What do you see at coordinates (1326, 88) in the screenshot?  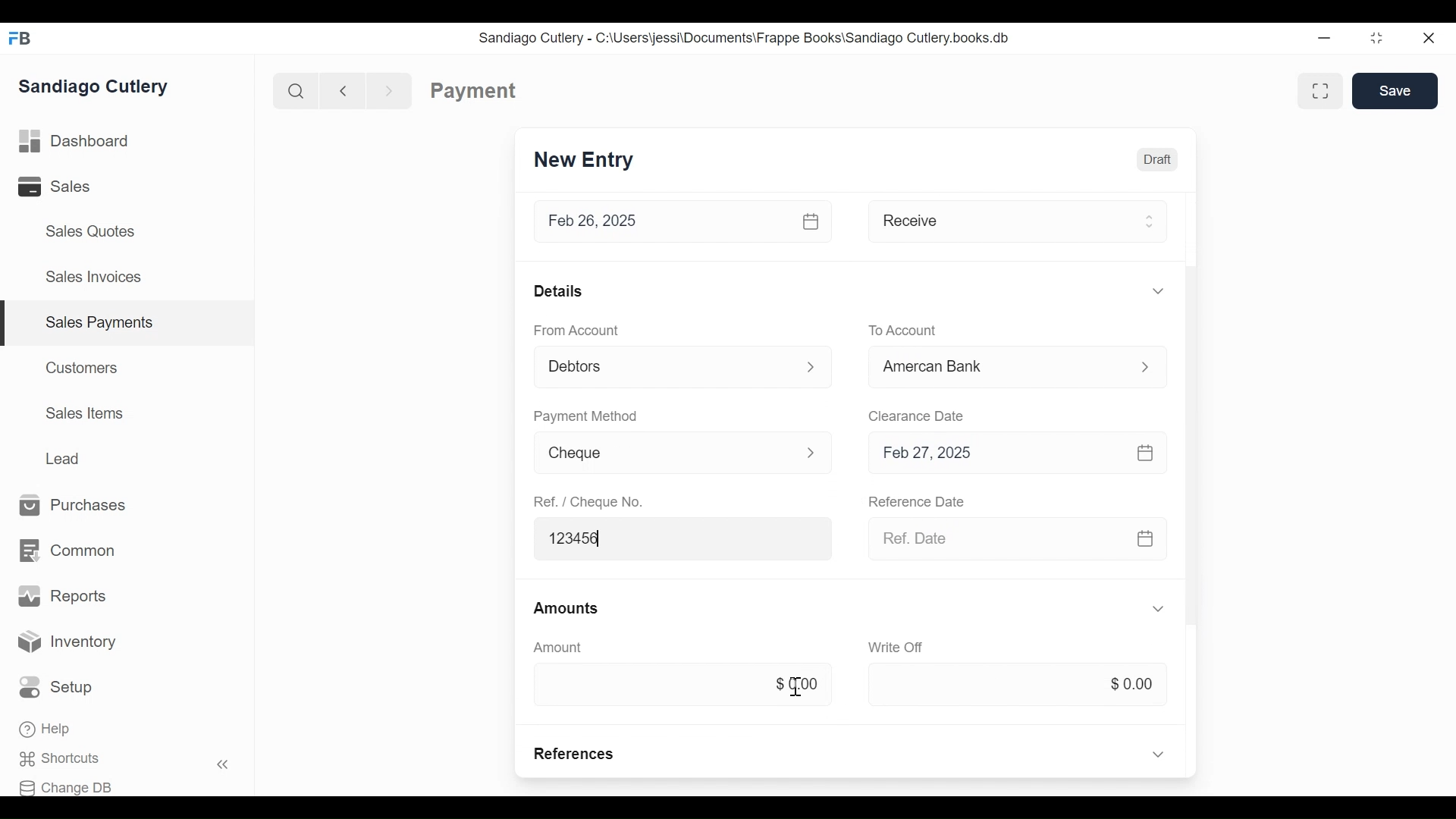 I see `Toggle form and full width ` at bounding box center [1326, 88].